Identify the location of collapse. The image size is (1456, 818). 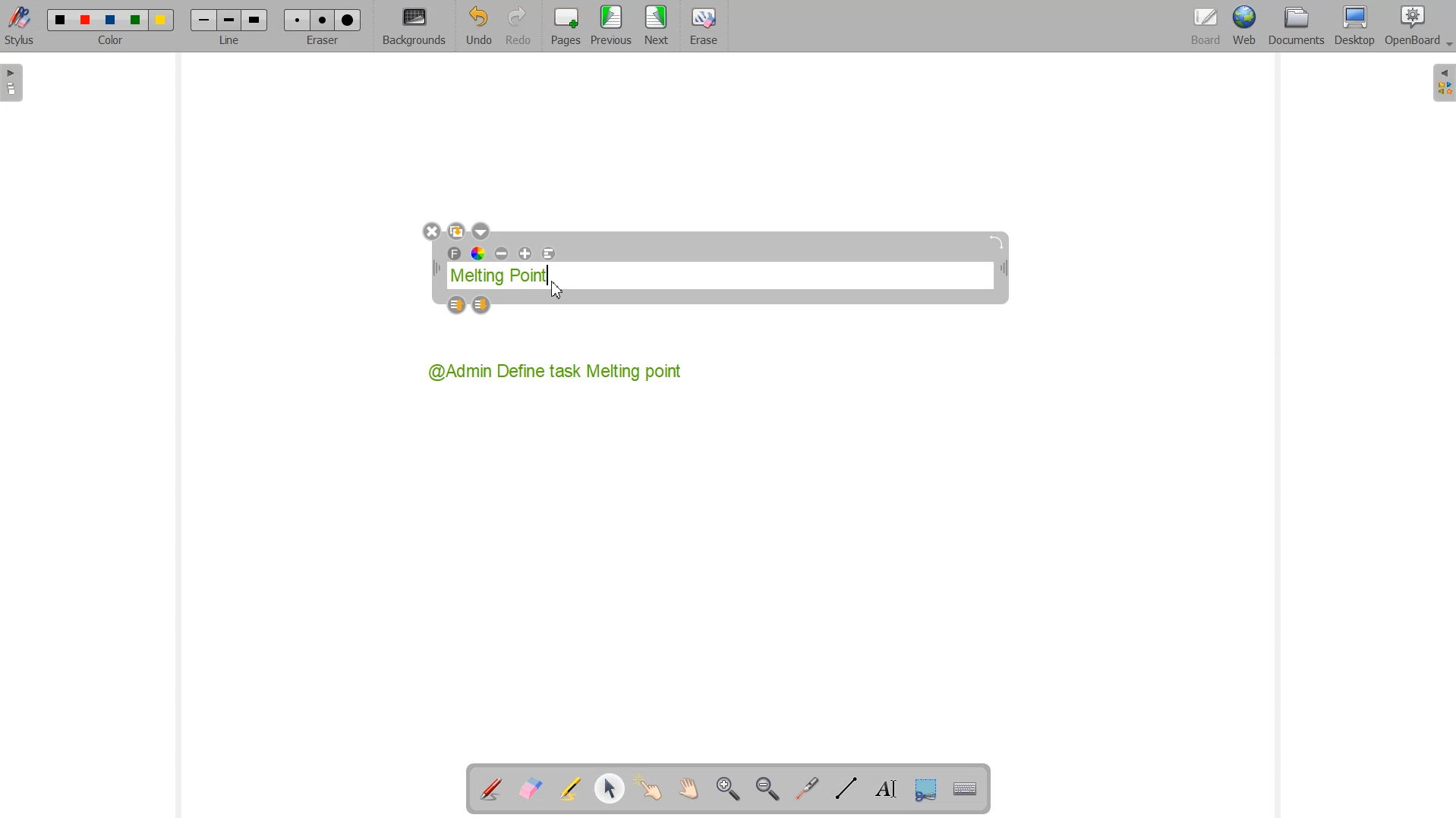
(1004, 268).